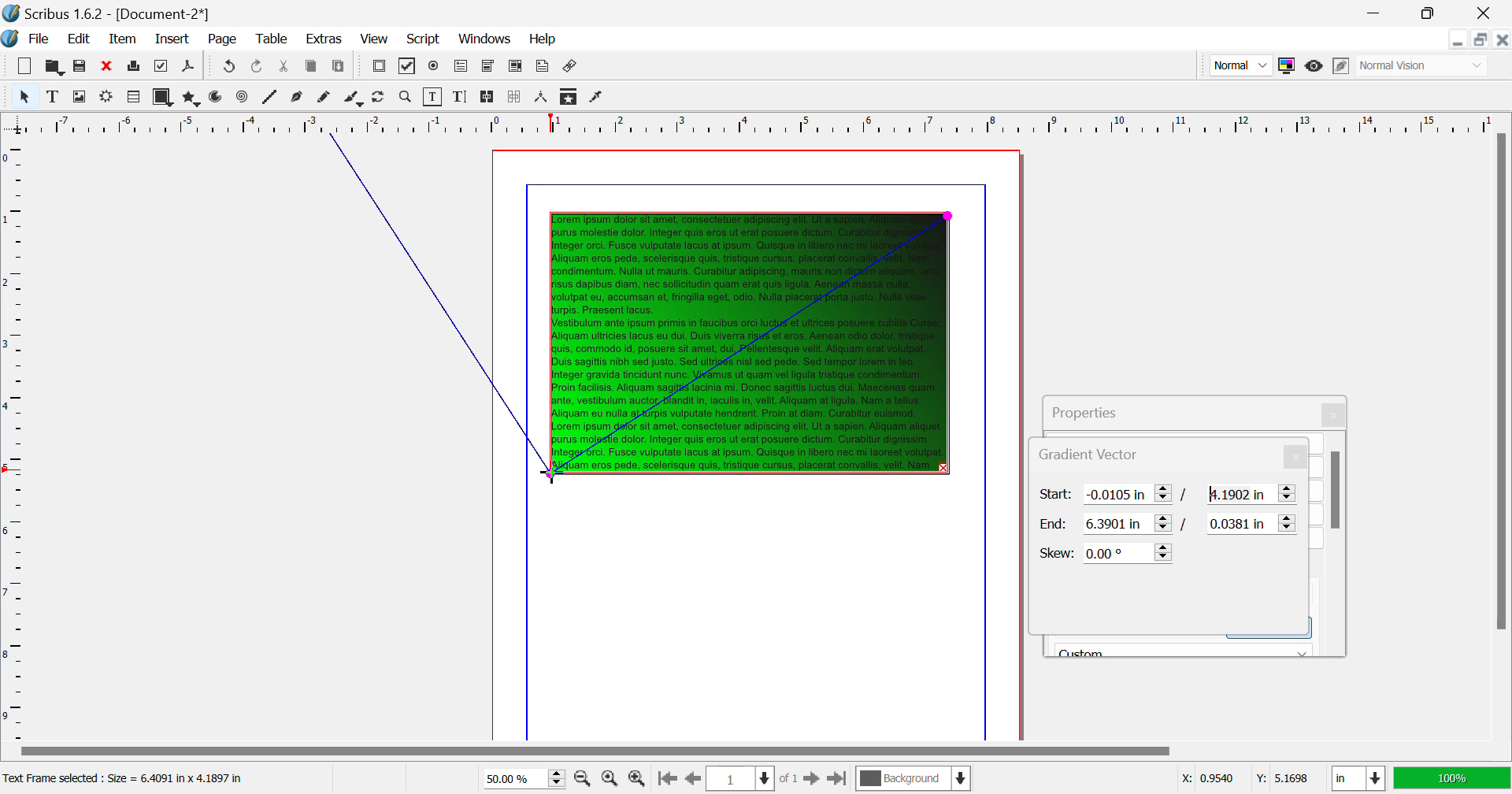 This screenshot has height=794, width=1512. What do you see at coordinates (354, 99) in the screenshot?
I see `Calligraphic Line` at bounding box center [354, 99].